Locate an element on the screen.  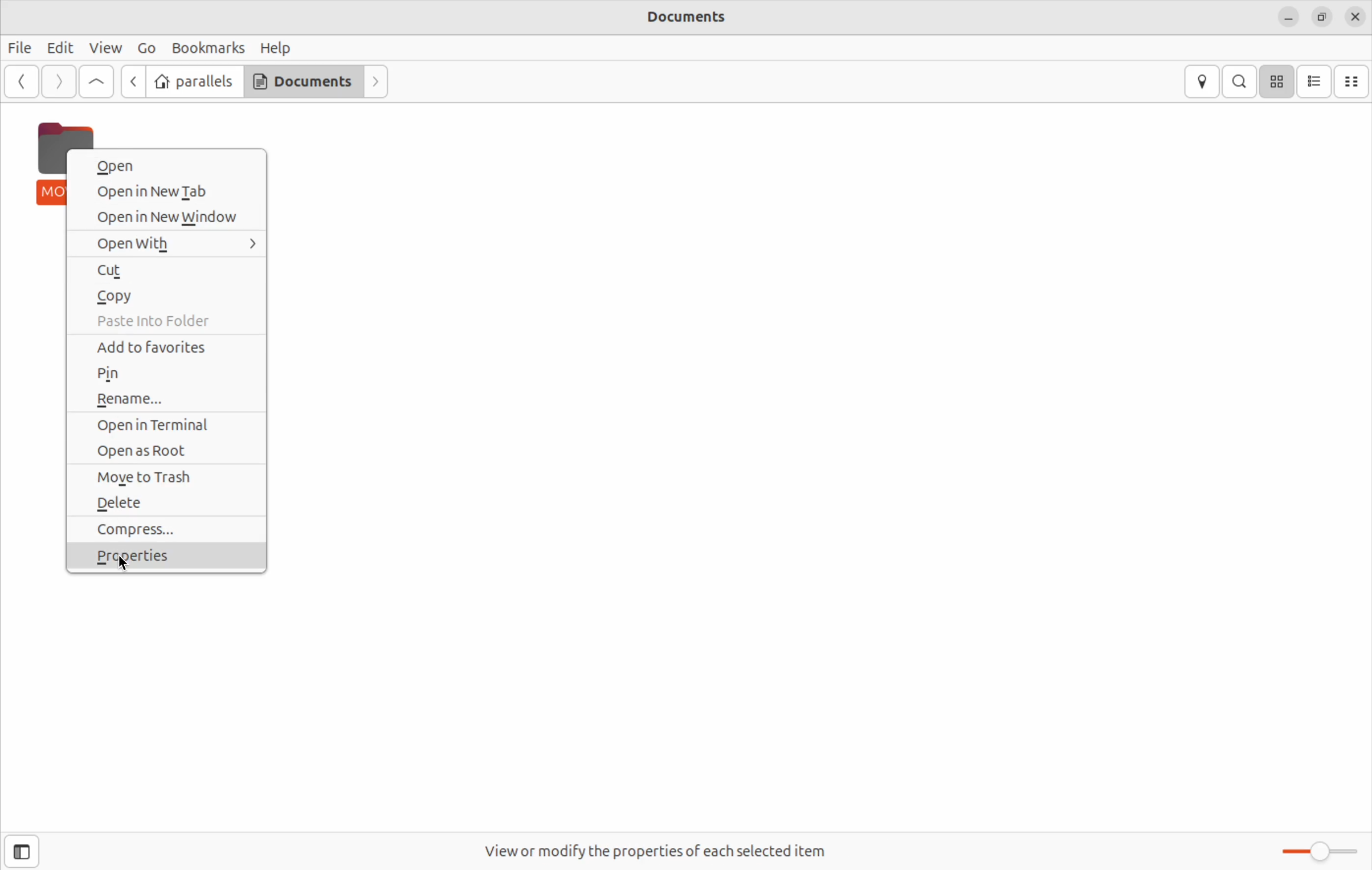
view is located at coordinates (108, 49).